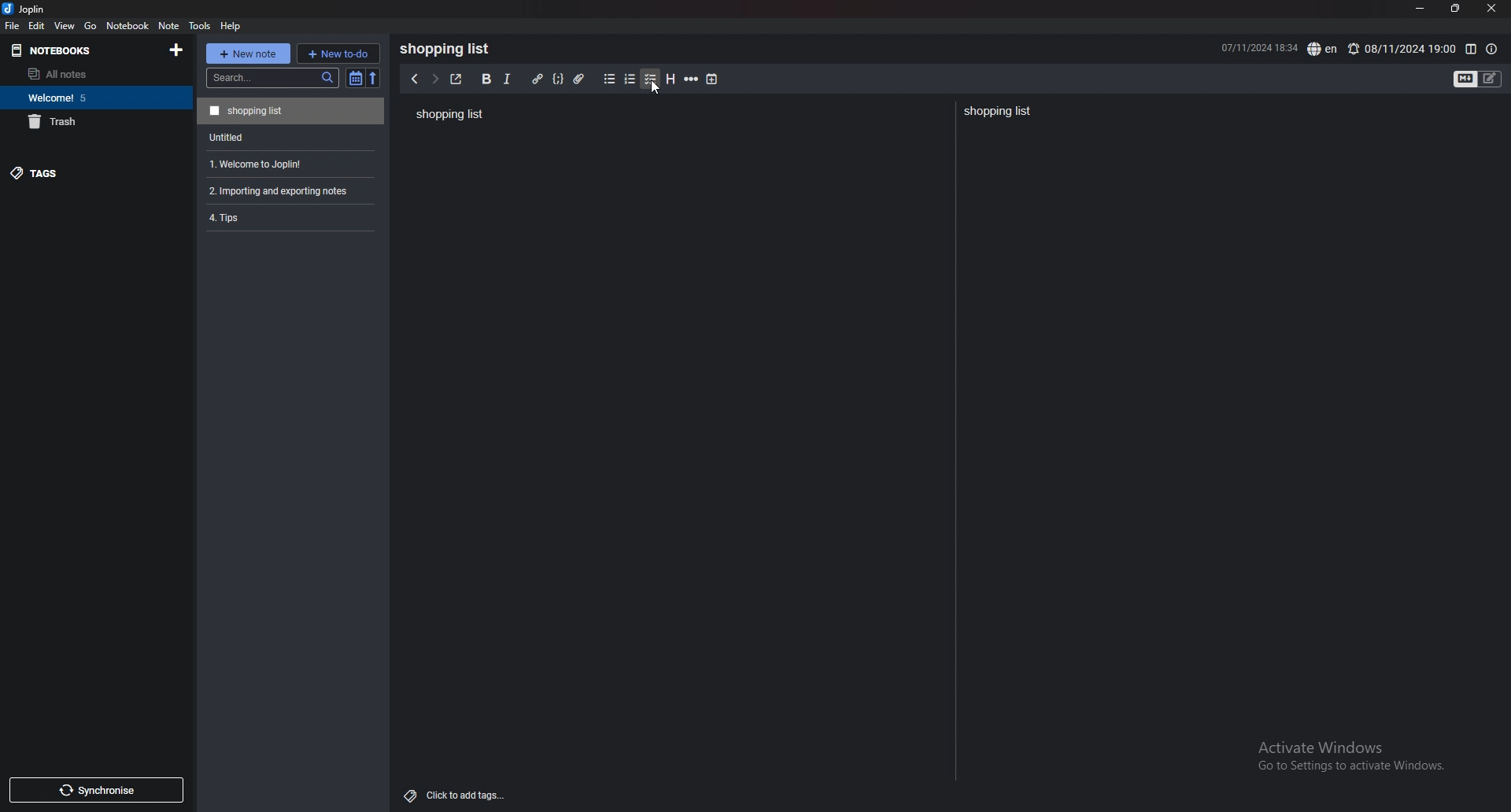 Image resolution: width=1511 pixels, height=812 pixels. What do you see at coordinates (582, 79) in the screenshot?
I see `attachment` at bounding box center [582, 79].